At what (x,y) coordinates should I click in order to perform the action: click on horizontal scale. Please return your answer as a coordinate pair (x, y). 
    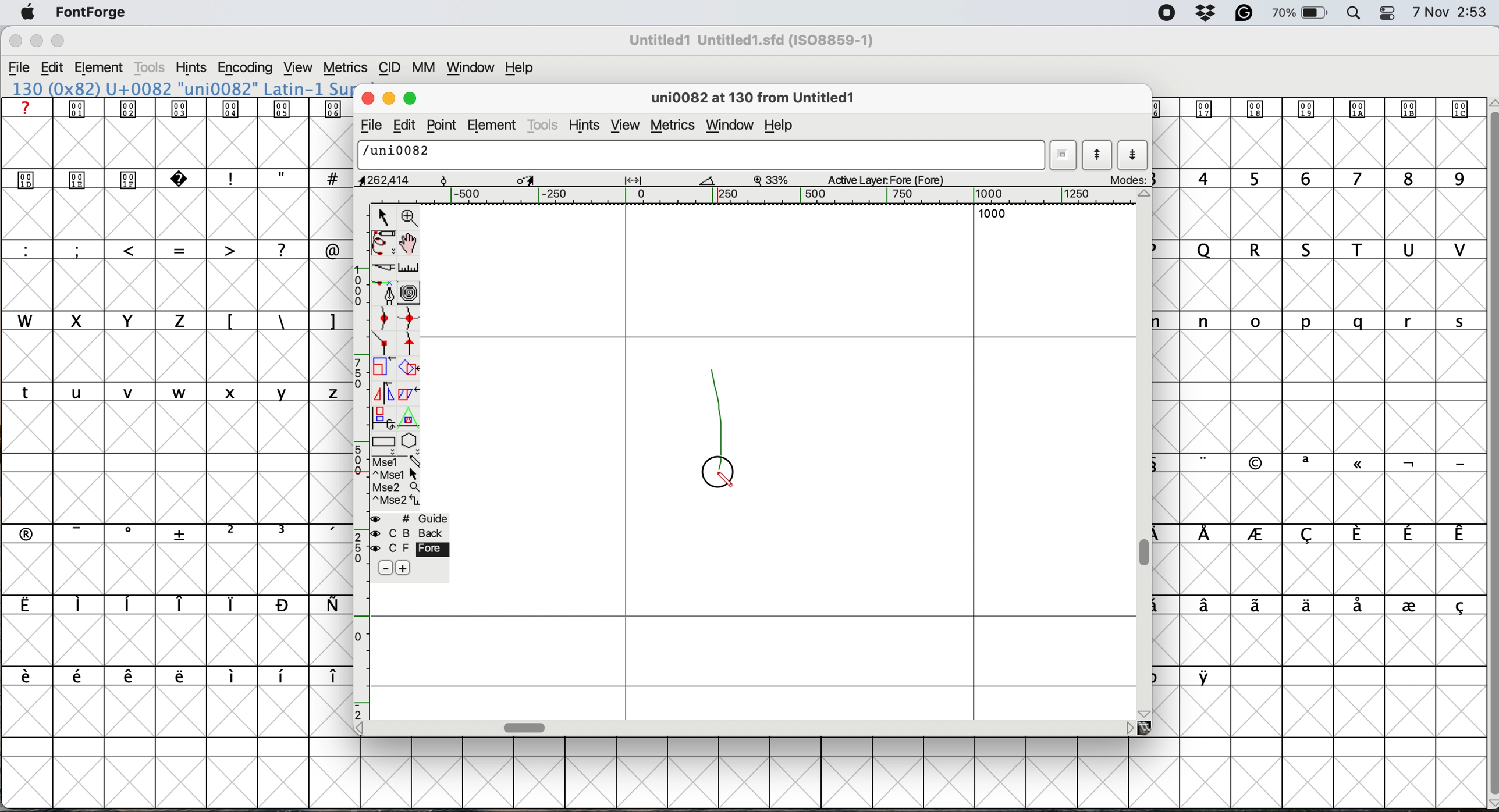
    Looking at the image, I should click on (777, 196).